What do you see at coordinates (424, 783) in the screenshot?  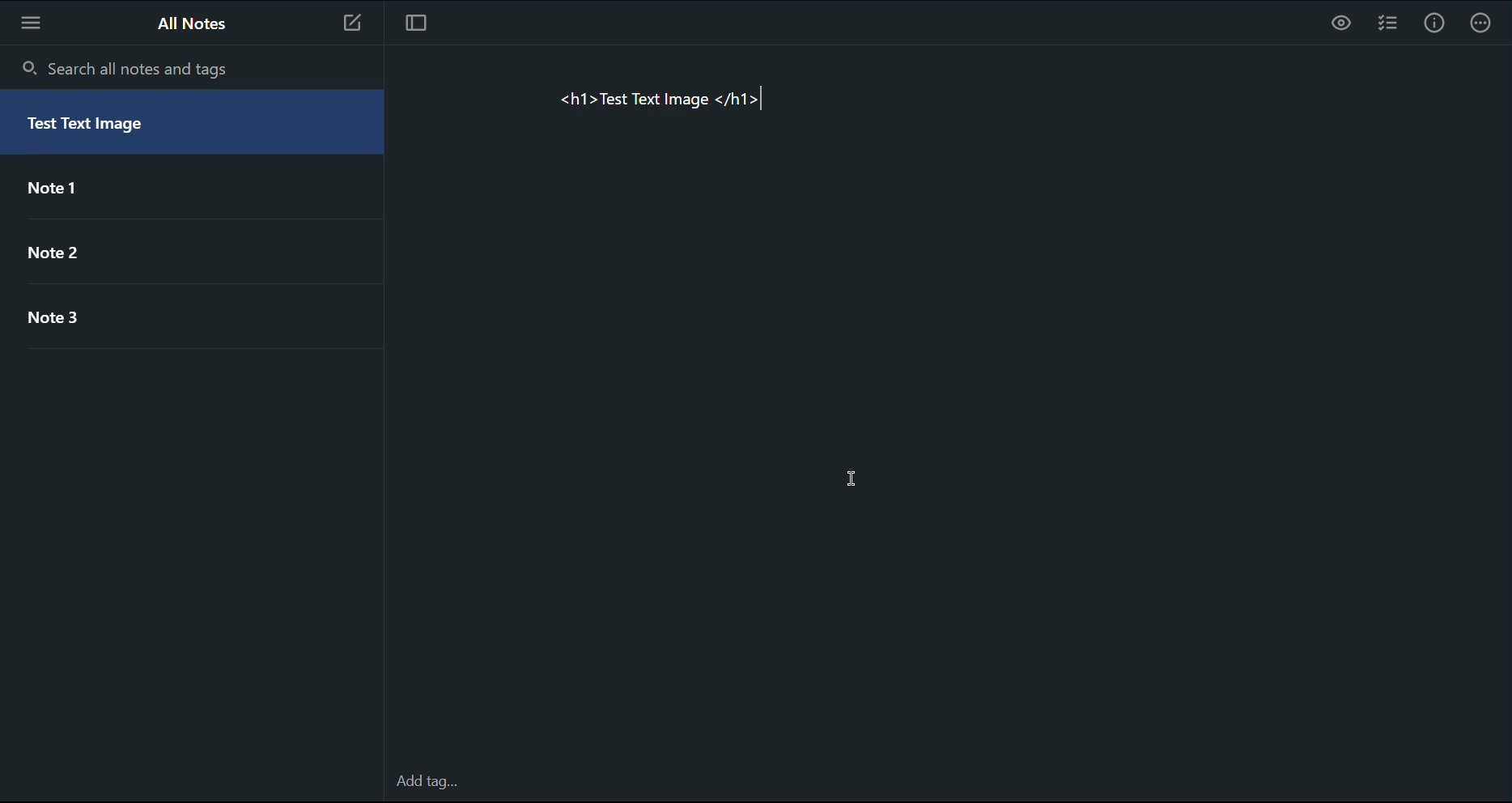 I see `Add tag` at bounding box center [424, 783].